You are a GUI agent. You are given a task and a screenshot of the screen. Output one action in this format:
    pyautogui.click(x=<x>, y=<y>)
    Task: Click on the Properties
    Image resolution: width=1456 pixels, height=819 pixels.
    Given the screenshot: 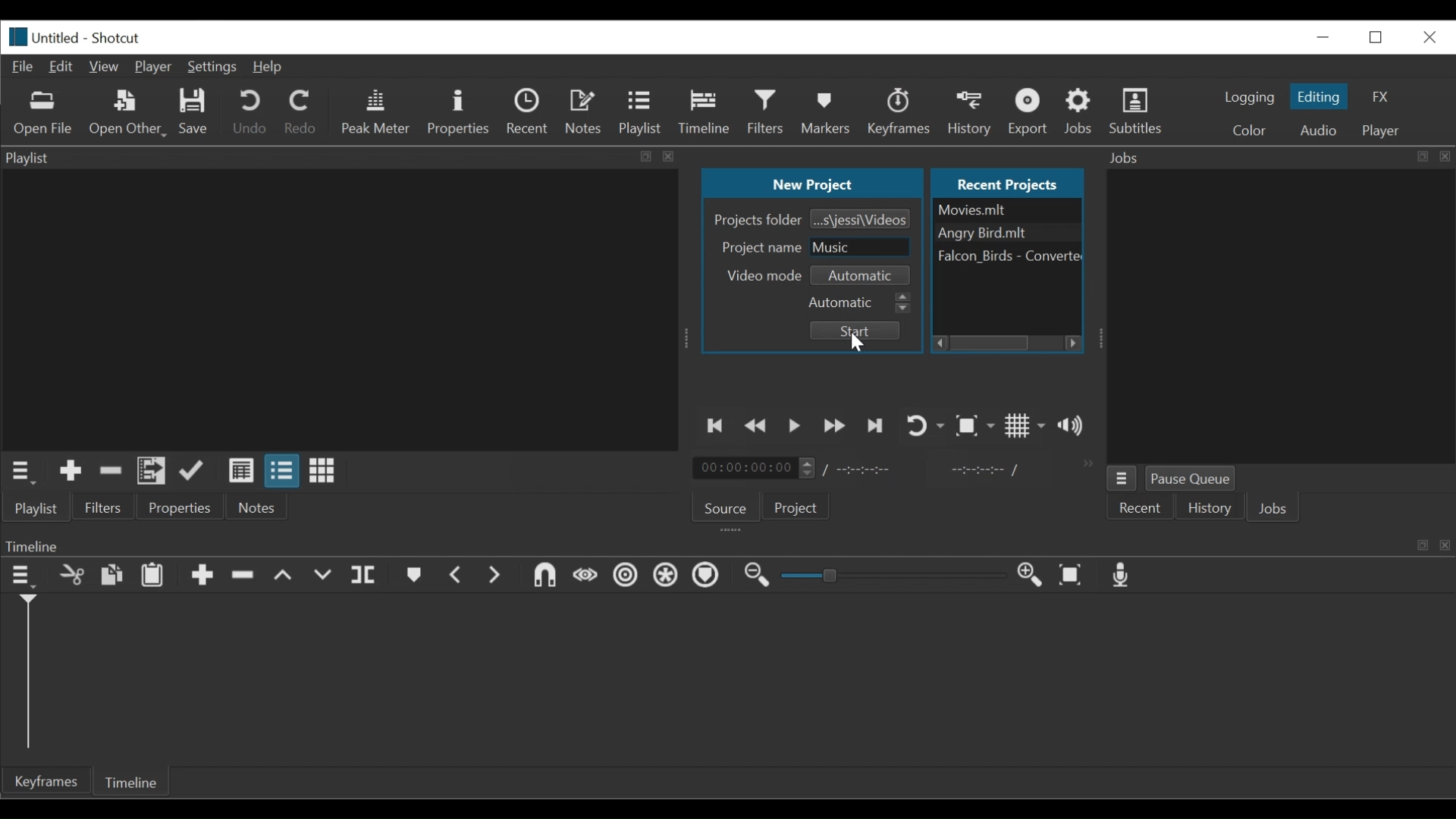 What is the action you would take?
    pyautogui.click(x=181, y=507)
    